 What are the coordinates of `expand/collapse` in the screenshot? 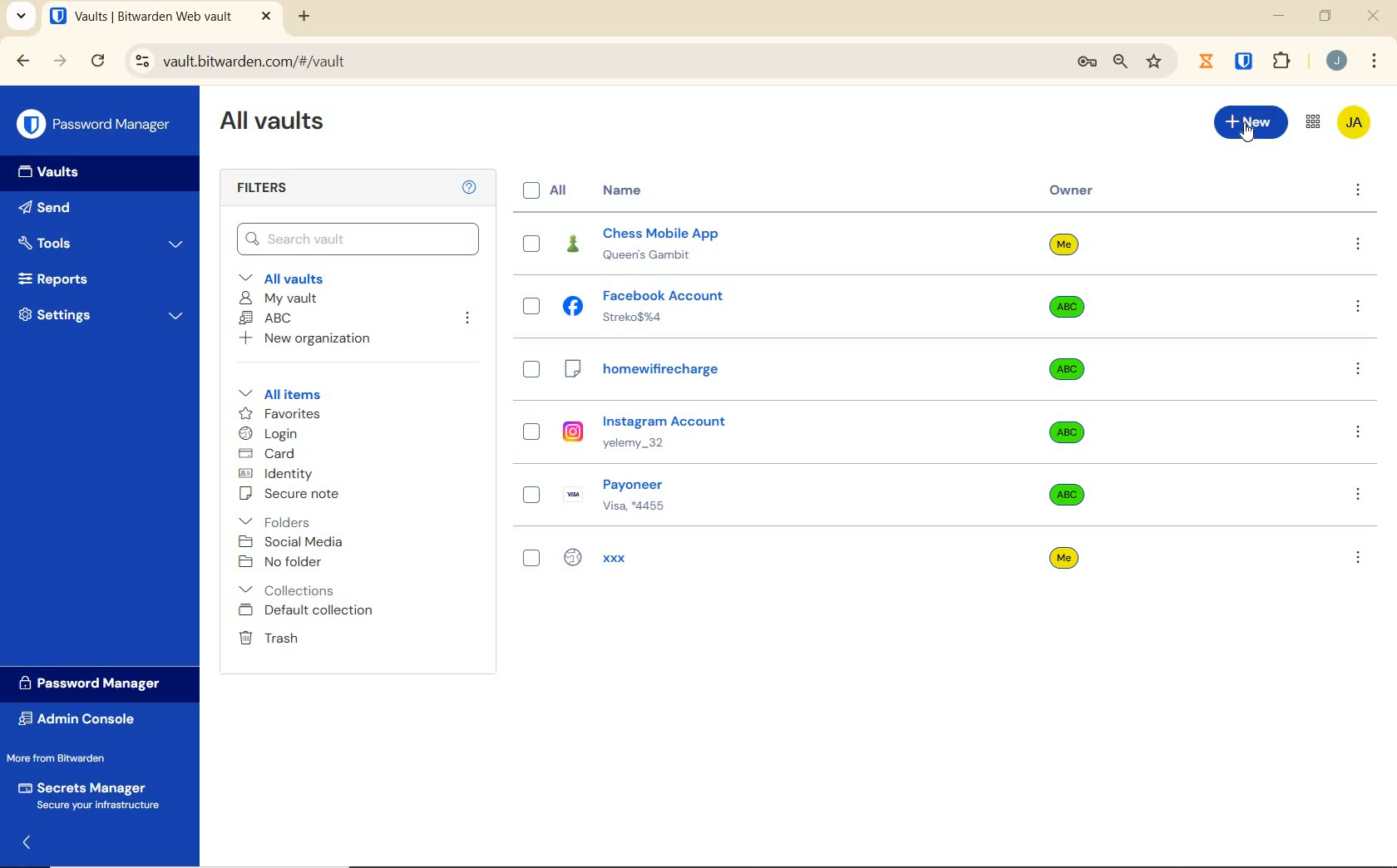 It's located at (27, 842).